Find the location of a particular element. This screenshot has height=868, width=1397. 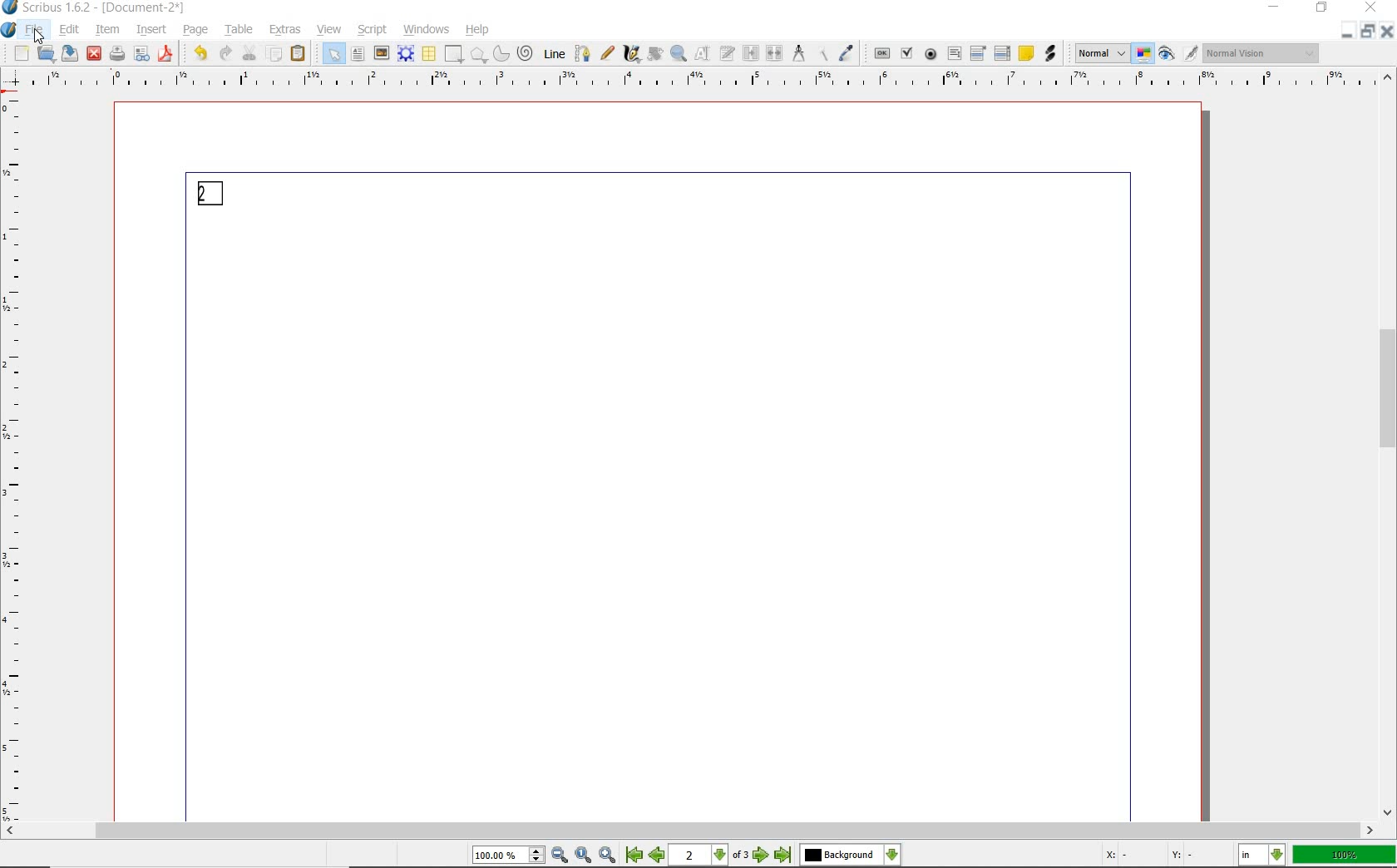

Zoom 100.00% is located at coordinates (506, 857).